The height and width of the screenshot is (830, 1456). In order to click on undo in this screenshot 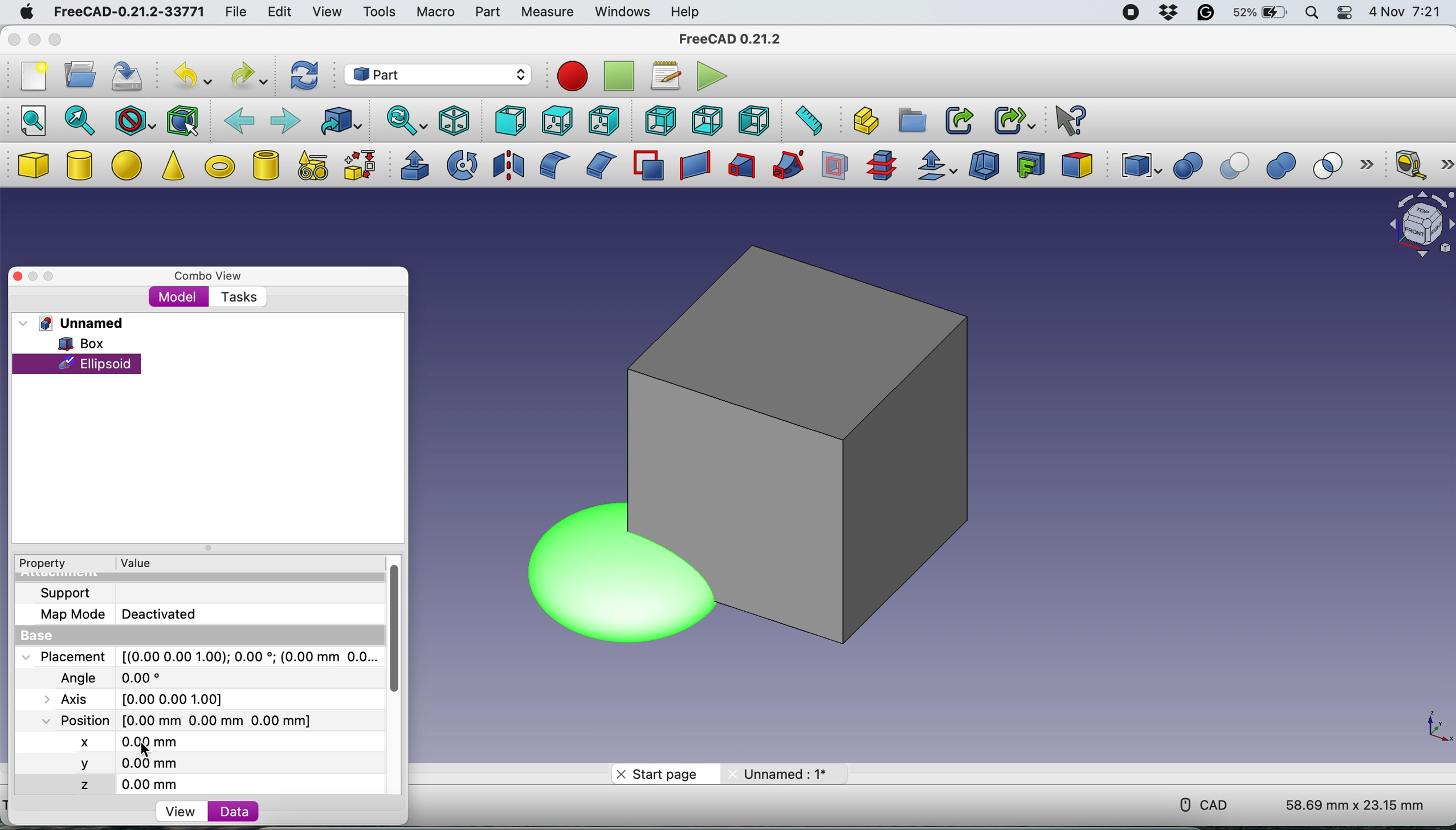, I will do `click(189, 76)`.